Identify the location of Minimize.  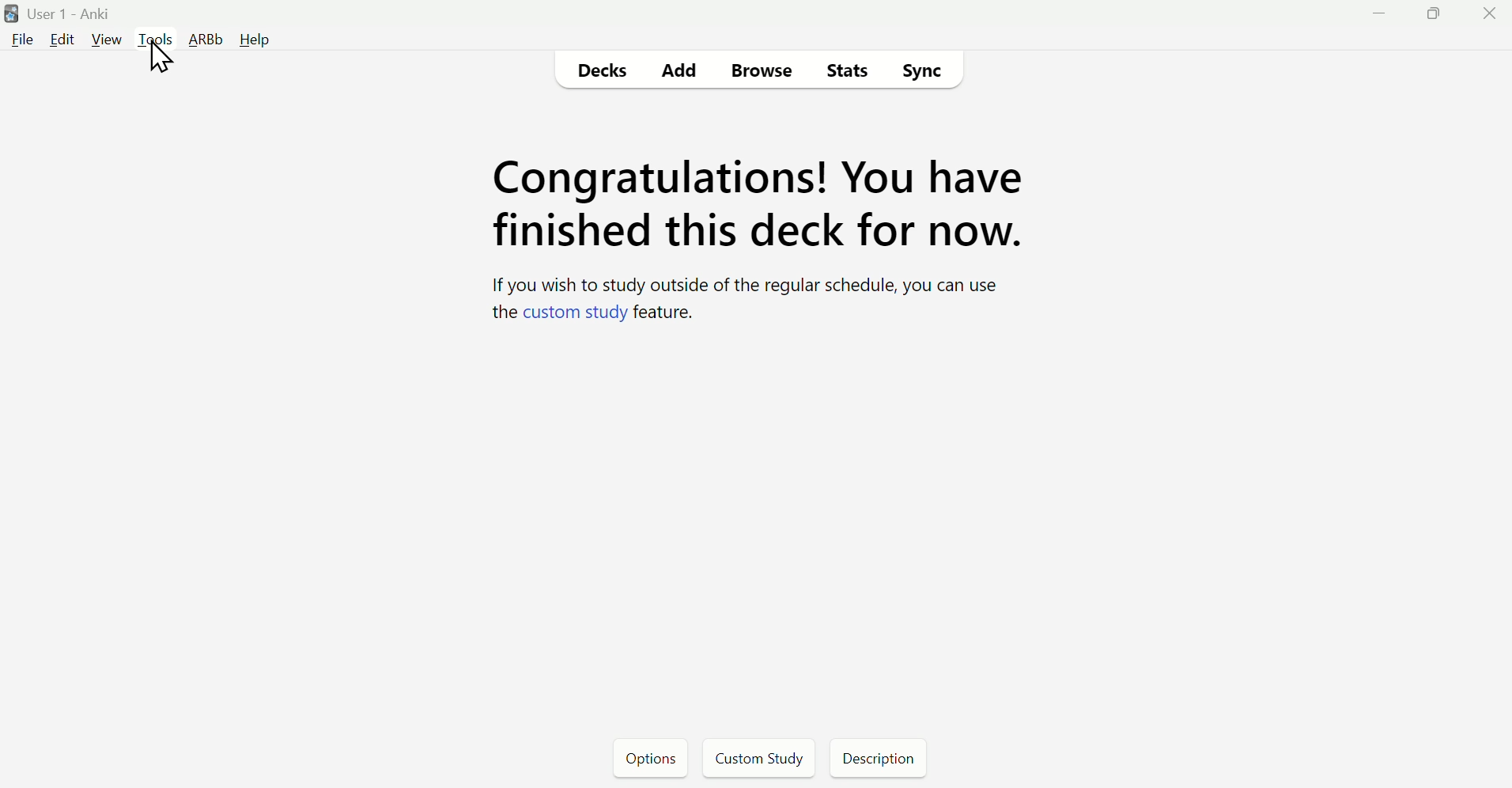
(1378, 14).